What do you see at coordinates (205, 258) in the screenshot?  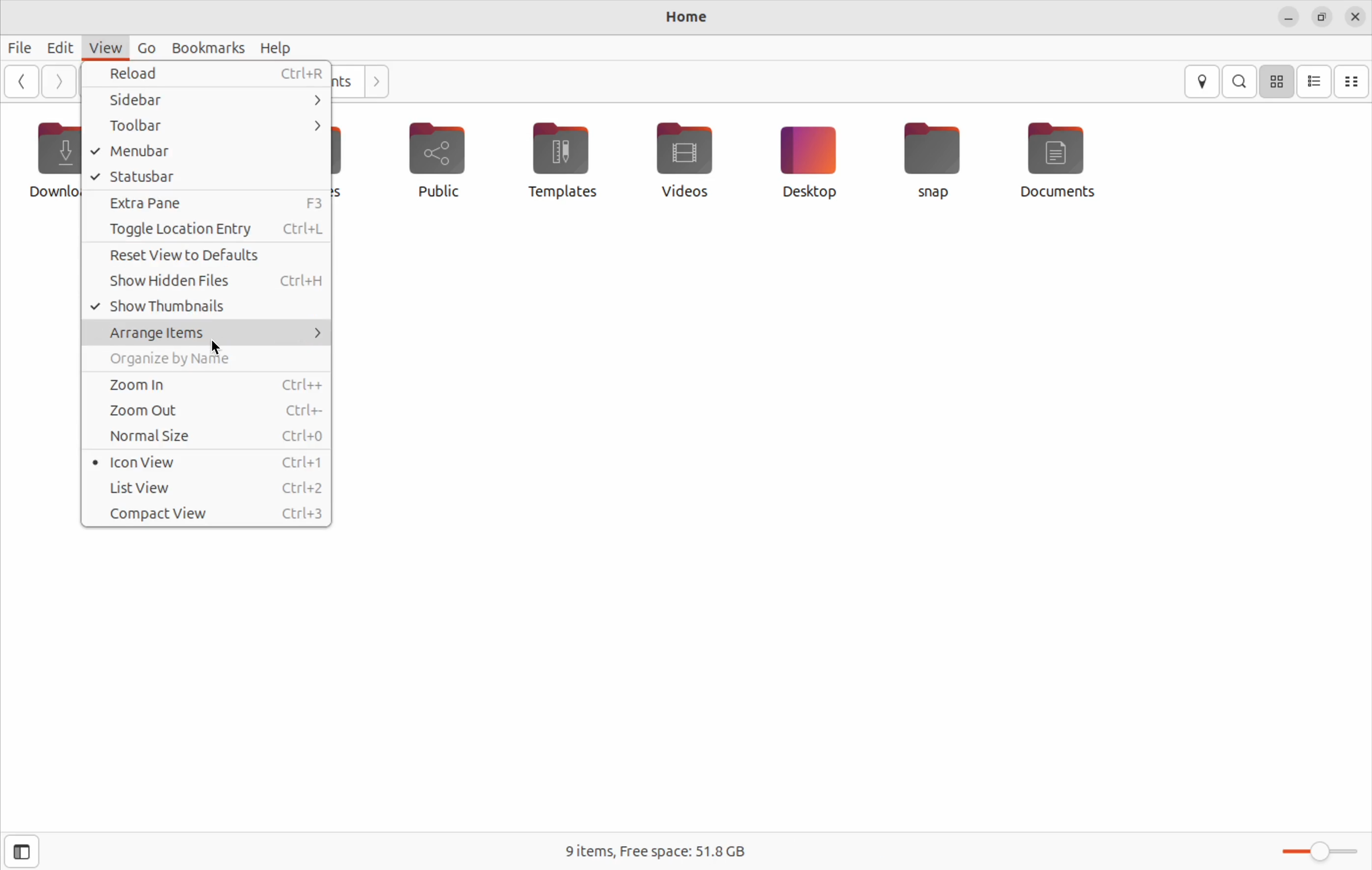 I see `reset view to default` at bounding box center [205, 258].